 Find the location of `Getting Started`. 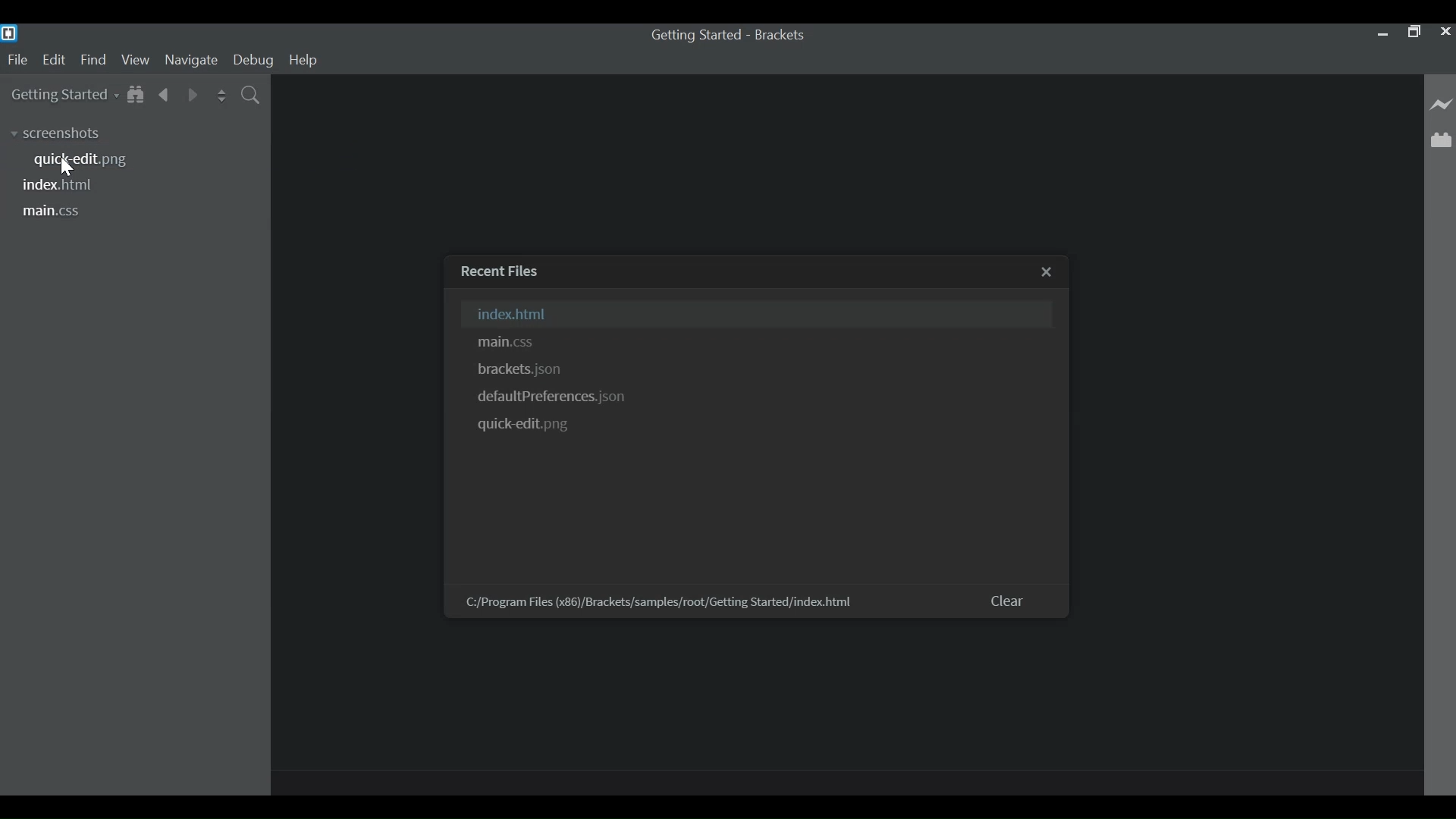

Getting Started is located at coordinates (695, 35).